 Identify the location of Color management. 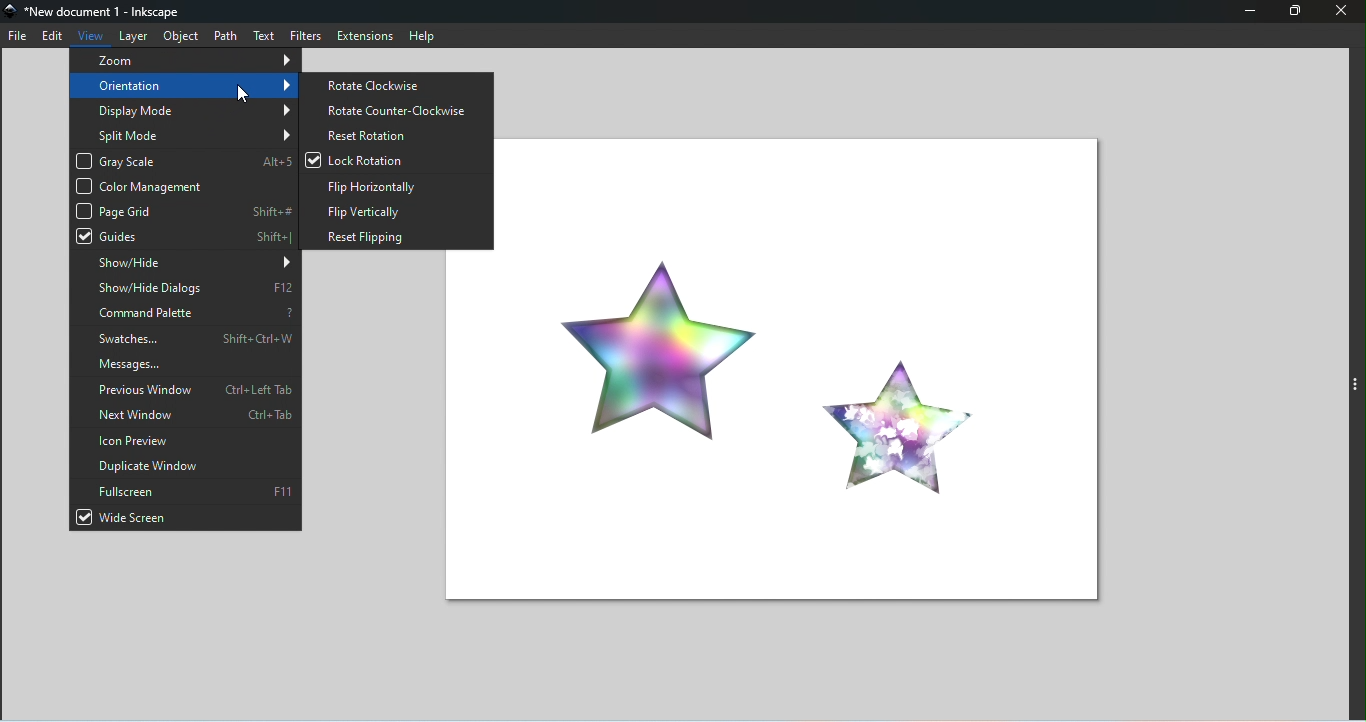
(183, 184).